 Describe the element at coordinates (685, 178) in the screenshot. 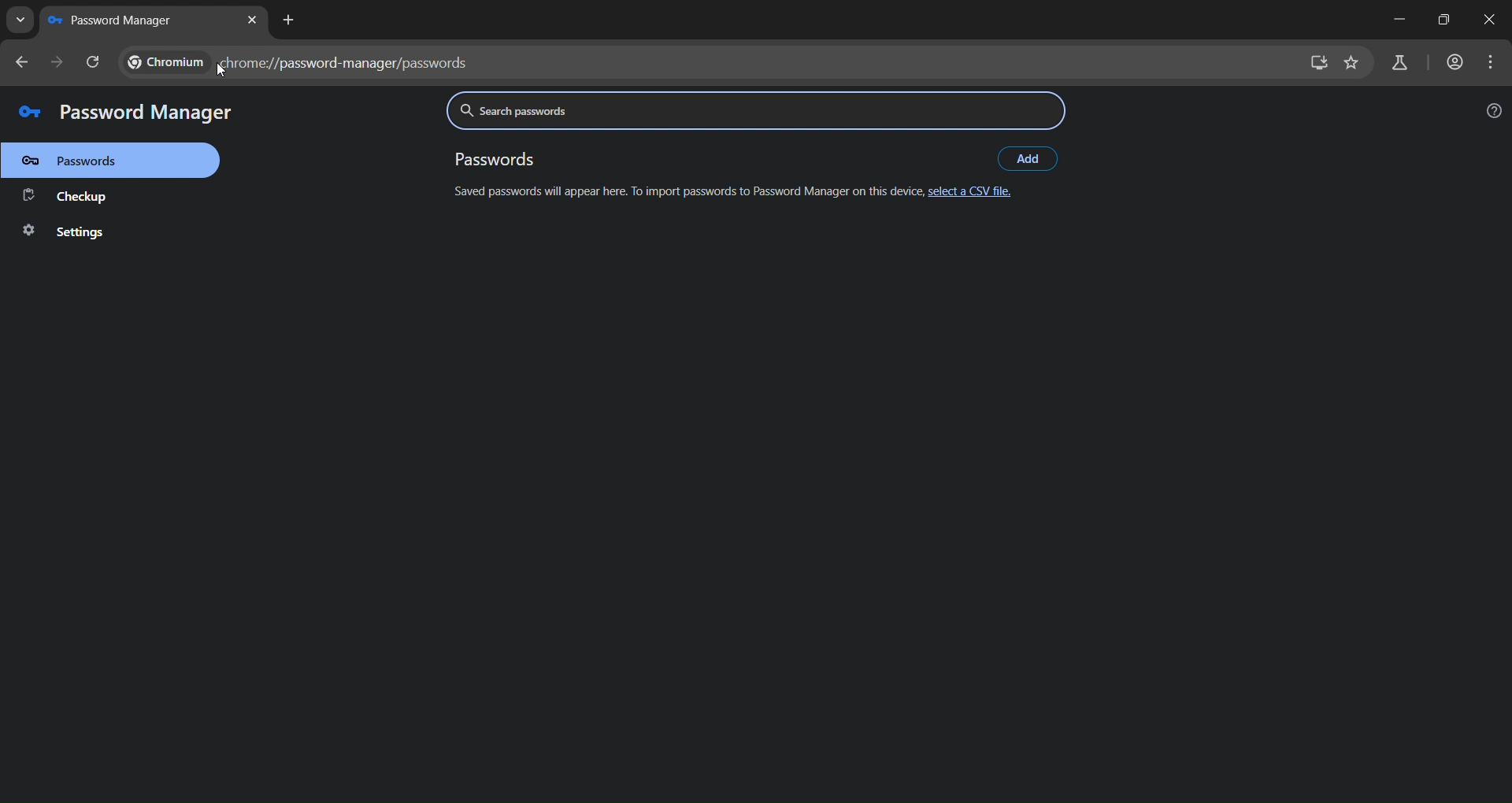

I see `PasswordsSaved passwords will appear here. To import passwords to Password Manager on this device` at that location.